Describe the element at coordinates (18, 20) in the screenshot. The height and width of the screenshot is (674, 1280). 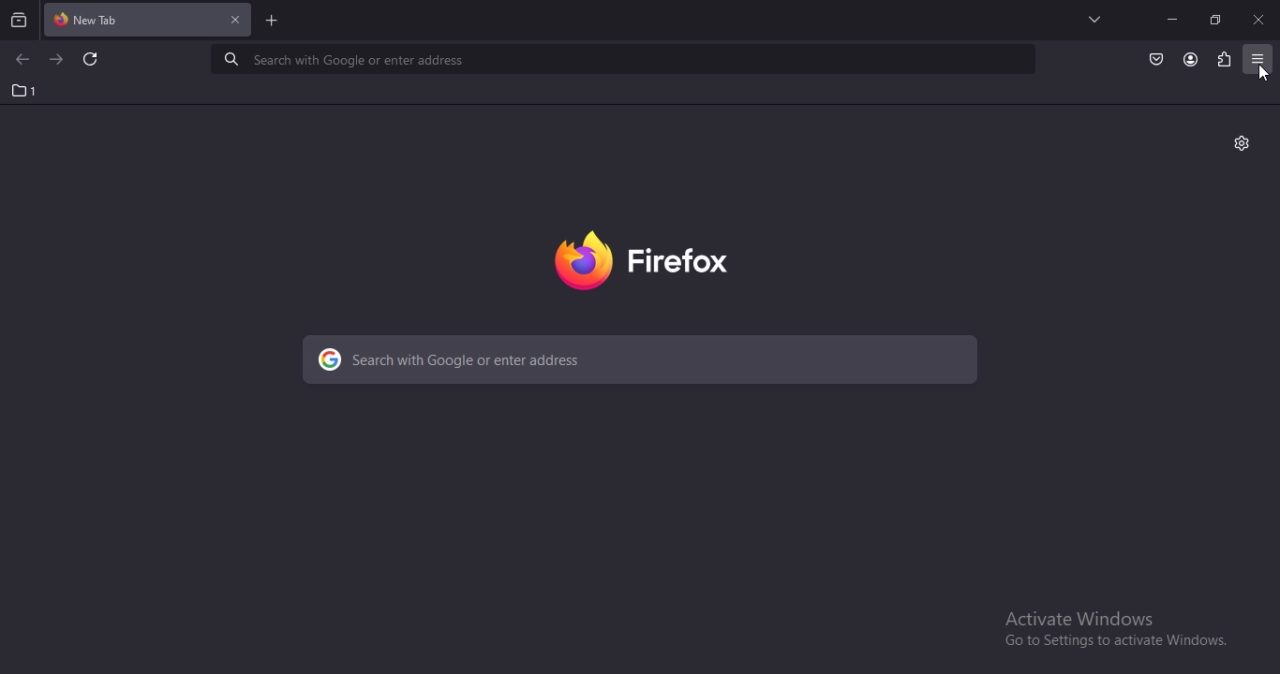
I see `search tabs` at that location.